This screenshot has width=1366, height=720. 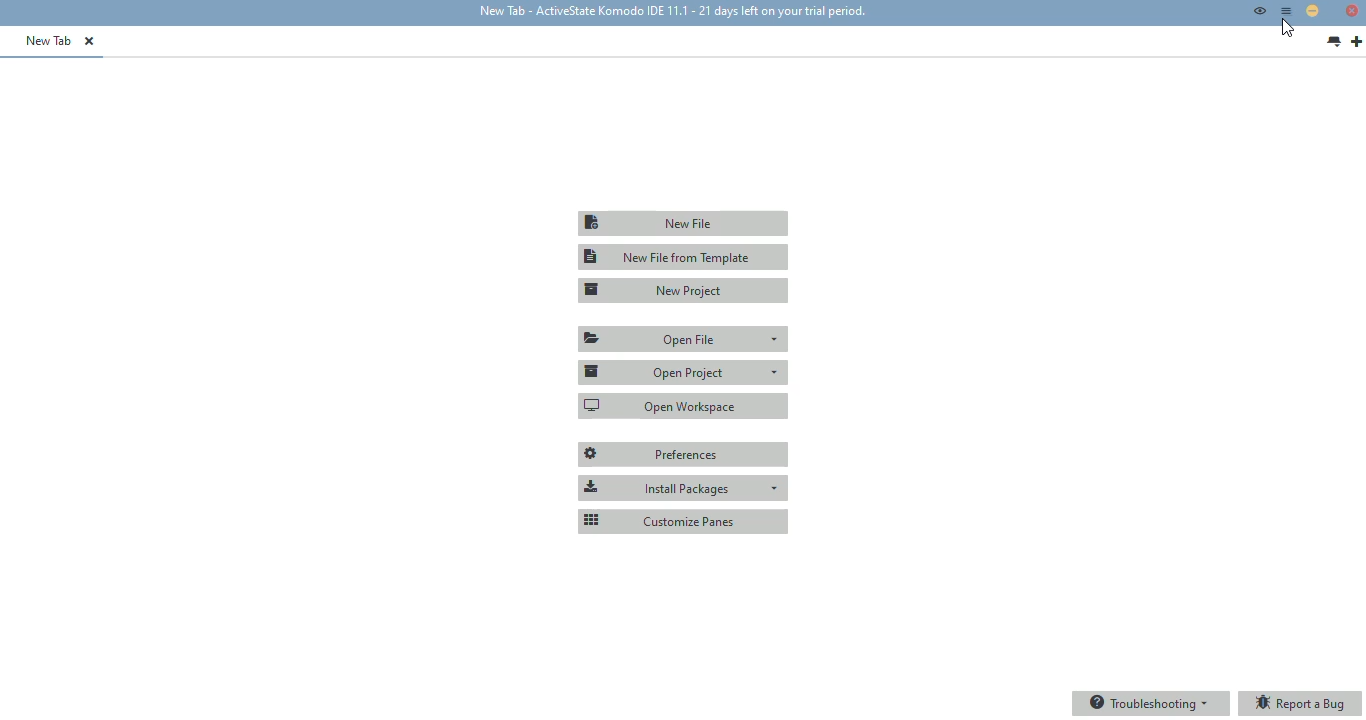 What do you see at coordinates (684, 257) in the screenshot?
I see `new file from template` at bounding box center [684, 257].